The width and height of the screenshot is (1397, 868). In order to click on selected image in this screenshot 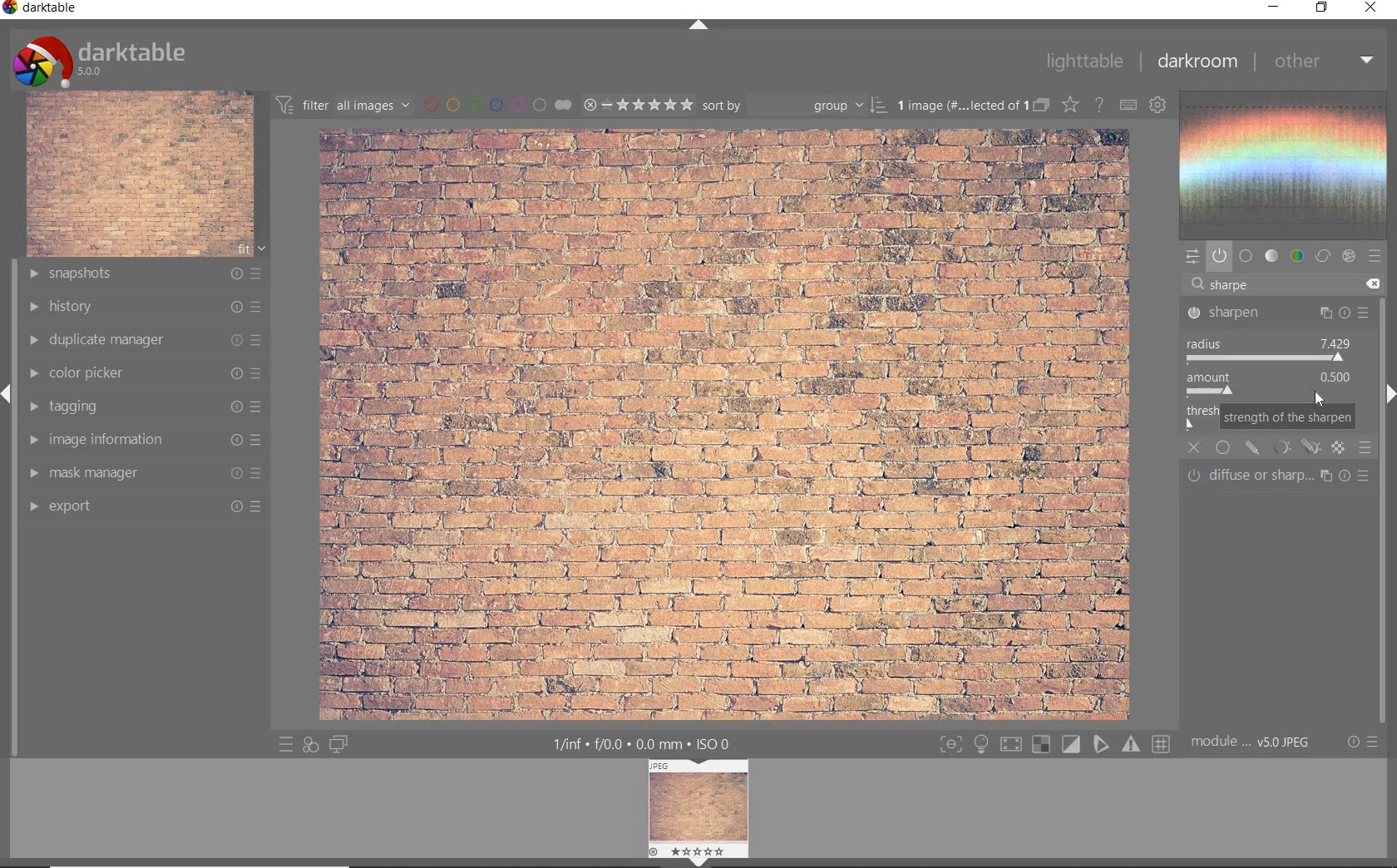, I will do `click(719, 424)`.